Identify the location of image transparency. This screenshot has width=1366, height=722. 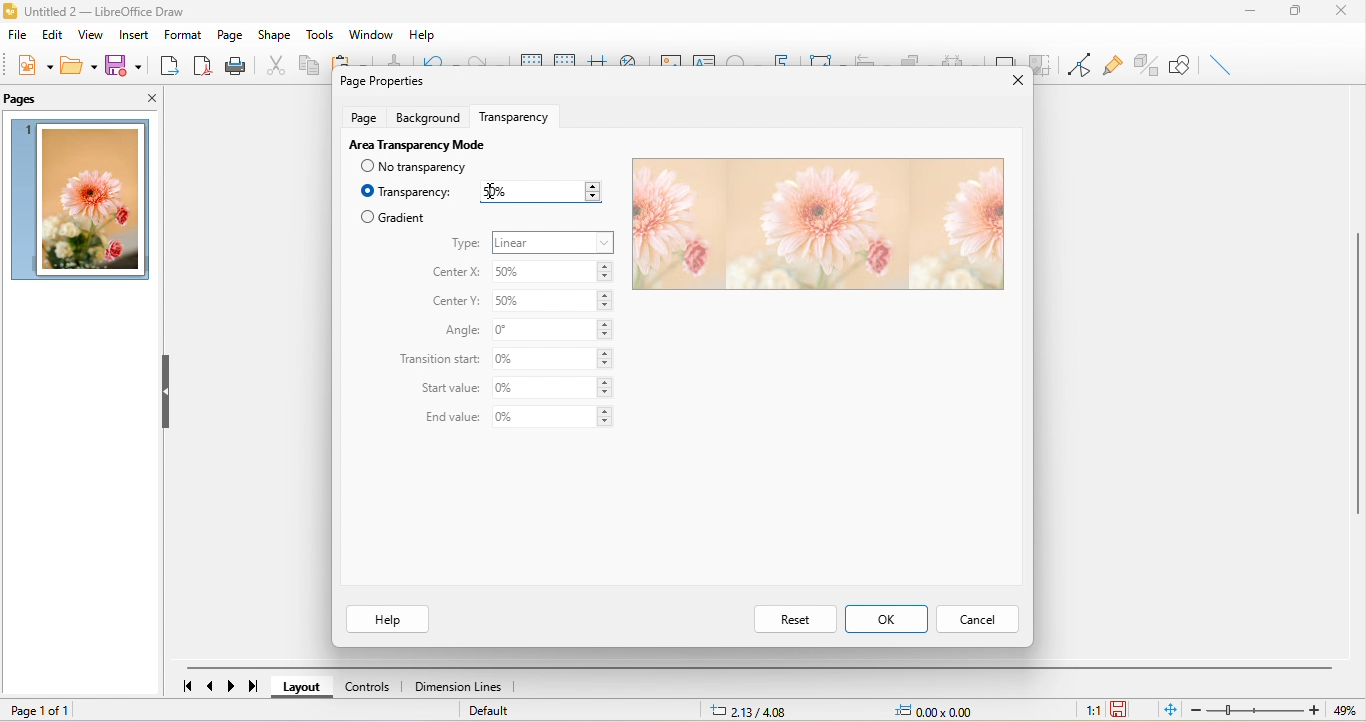
(815, 225).